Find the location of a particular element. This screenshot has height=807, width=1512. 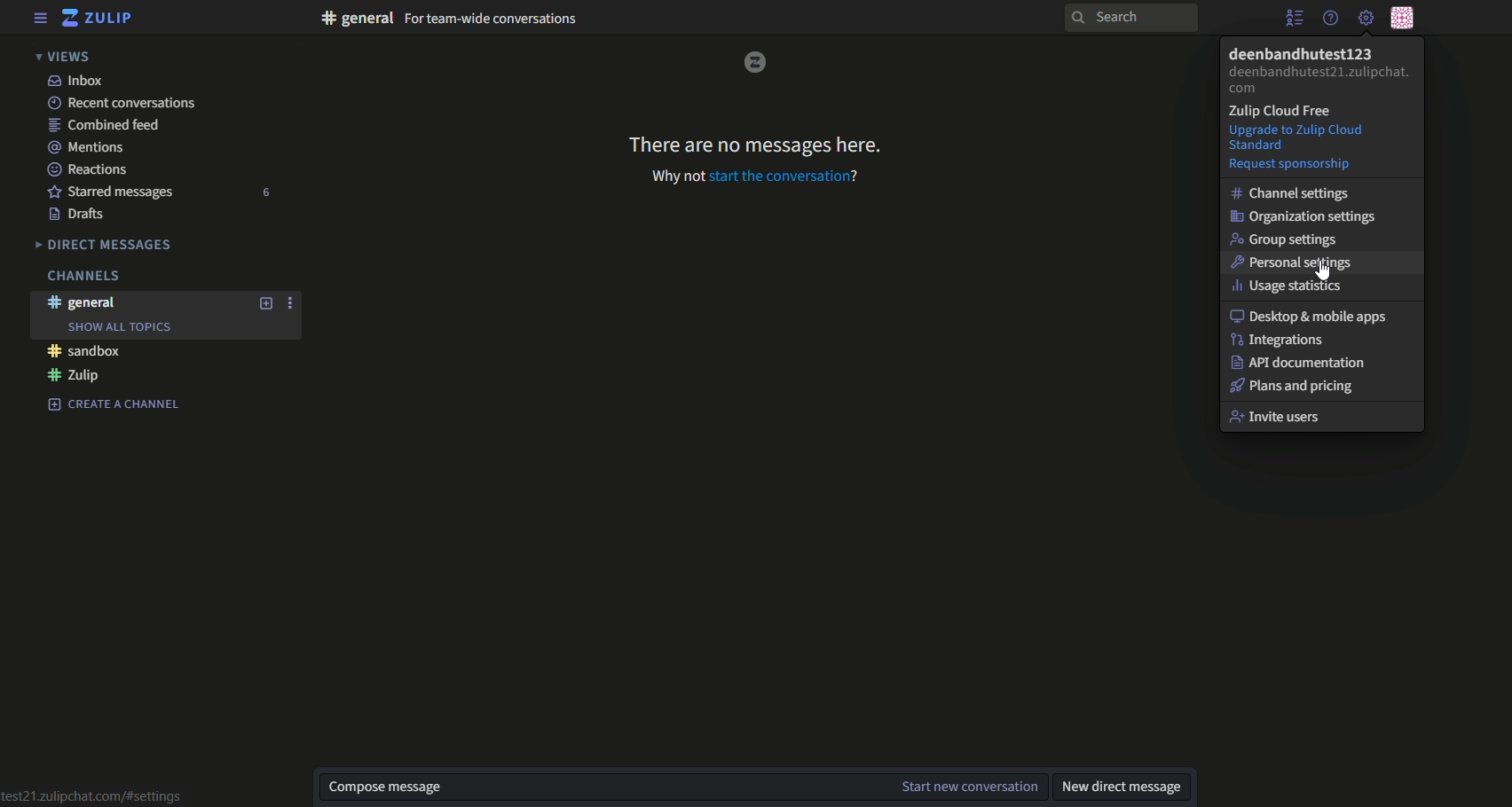

#Zulip is located at coordinates (75, 375).